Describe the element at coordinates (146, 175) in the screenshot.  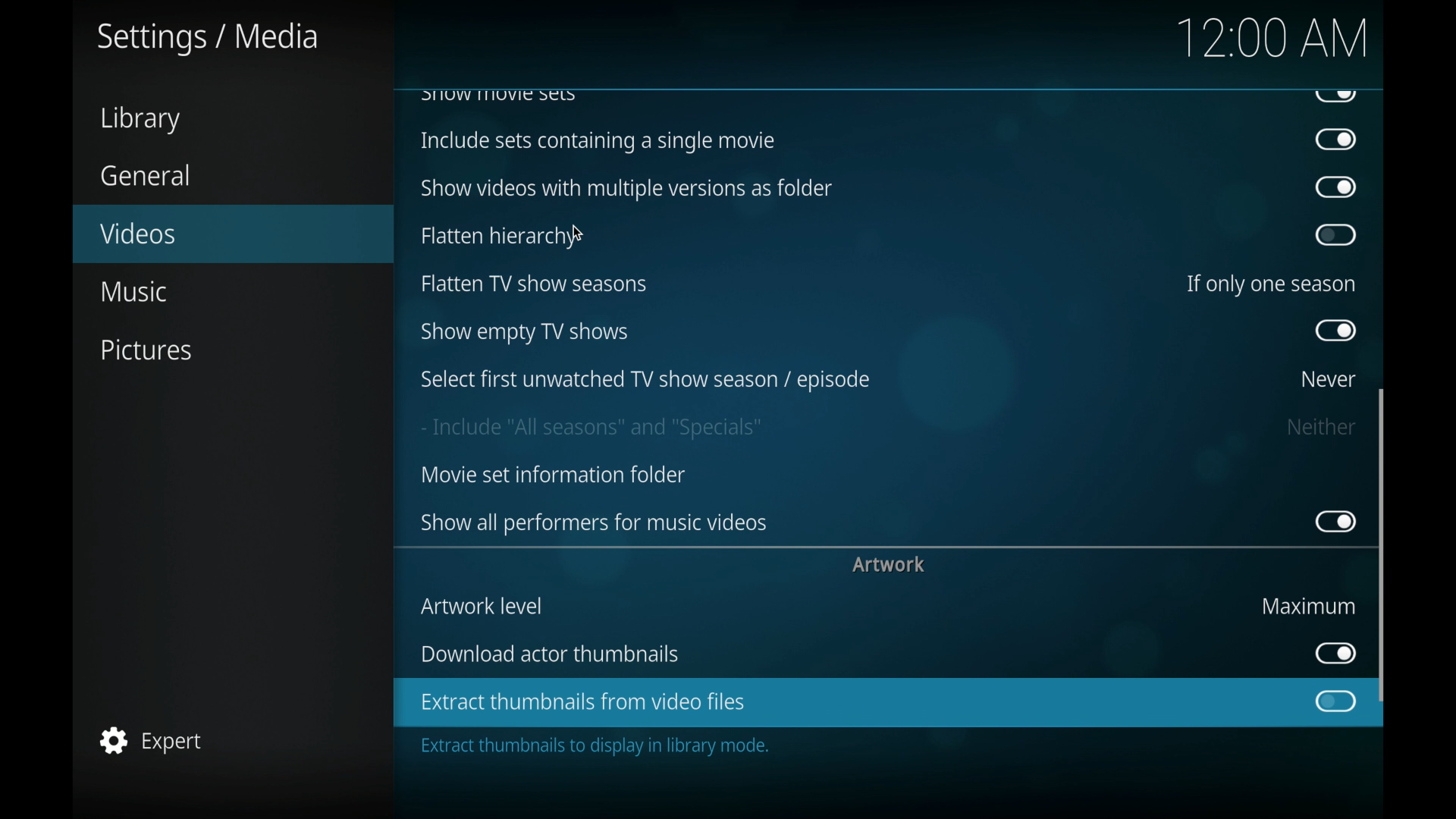
I see `general` at that location.